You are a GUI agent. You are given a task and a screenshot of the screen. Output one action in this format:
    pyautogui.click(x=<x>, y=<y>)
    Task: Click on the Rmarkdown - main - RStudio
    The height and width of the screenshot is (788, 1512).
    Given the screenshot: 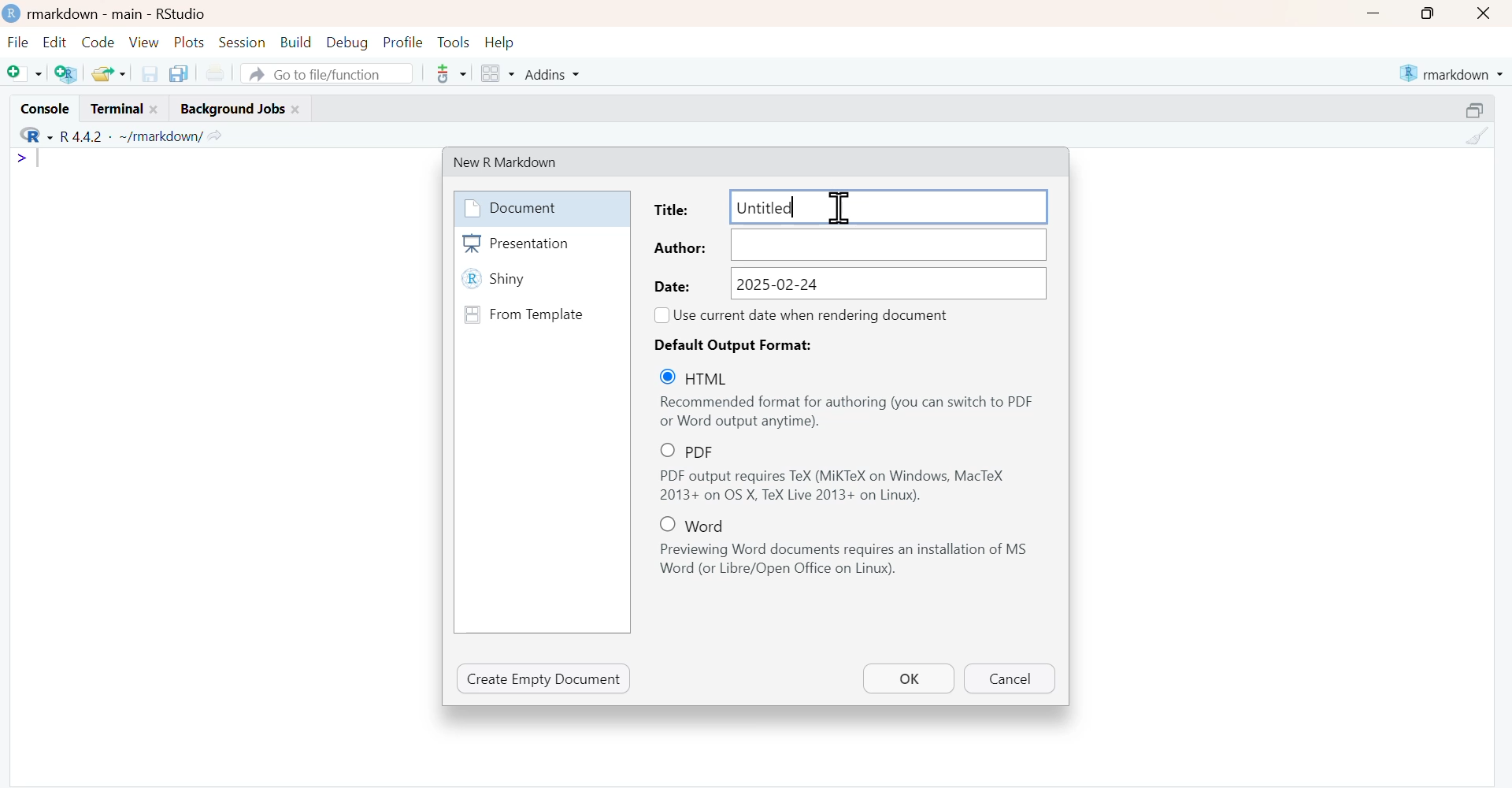 What is the action you would take?
    pyautogui.click(x=122, y=13)
    